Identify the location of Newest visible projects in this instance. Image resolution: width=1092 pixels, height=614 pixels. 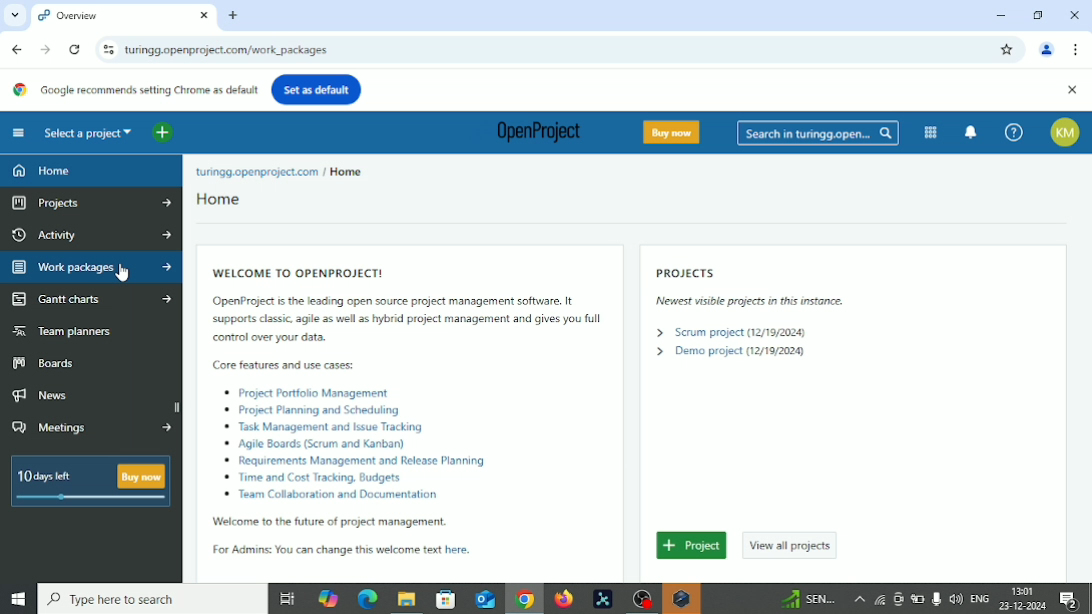
(737, 300).